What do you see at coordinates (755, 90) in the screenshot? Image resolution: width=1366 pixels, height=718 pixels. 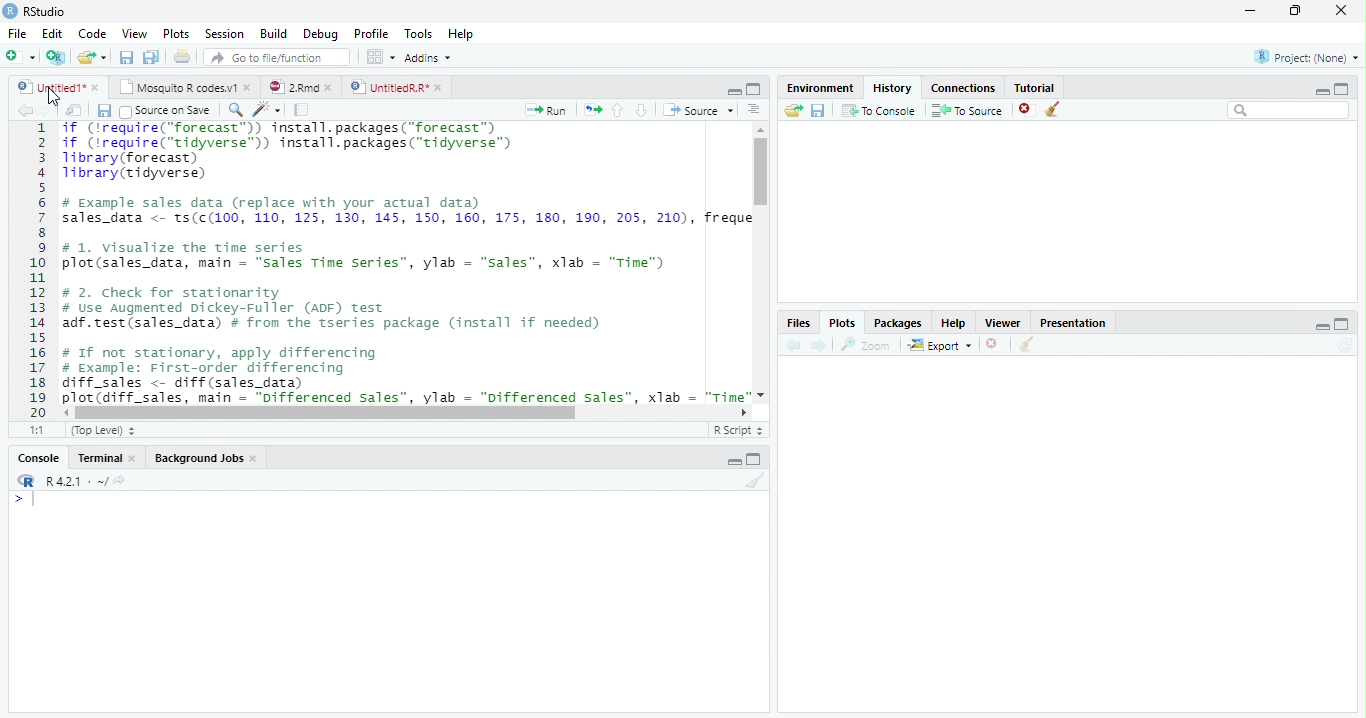 I see `Maximize` at bounding box center [755, 90].